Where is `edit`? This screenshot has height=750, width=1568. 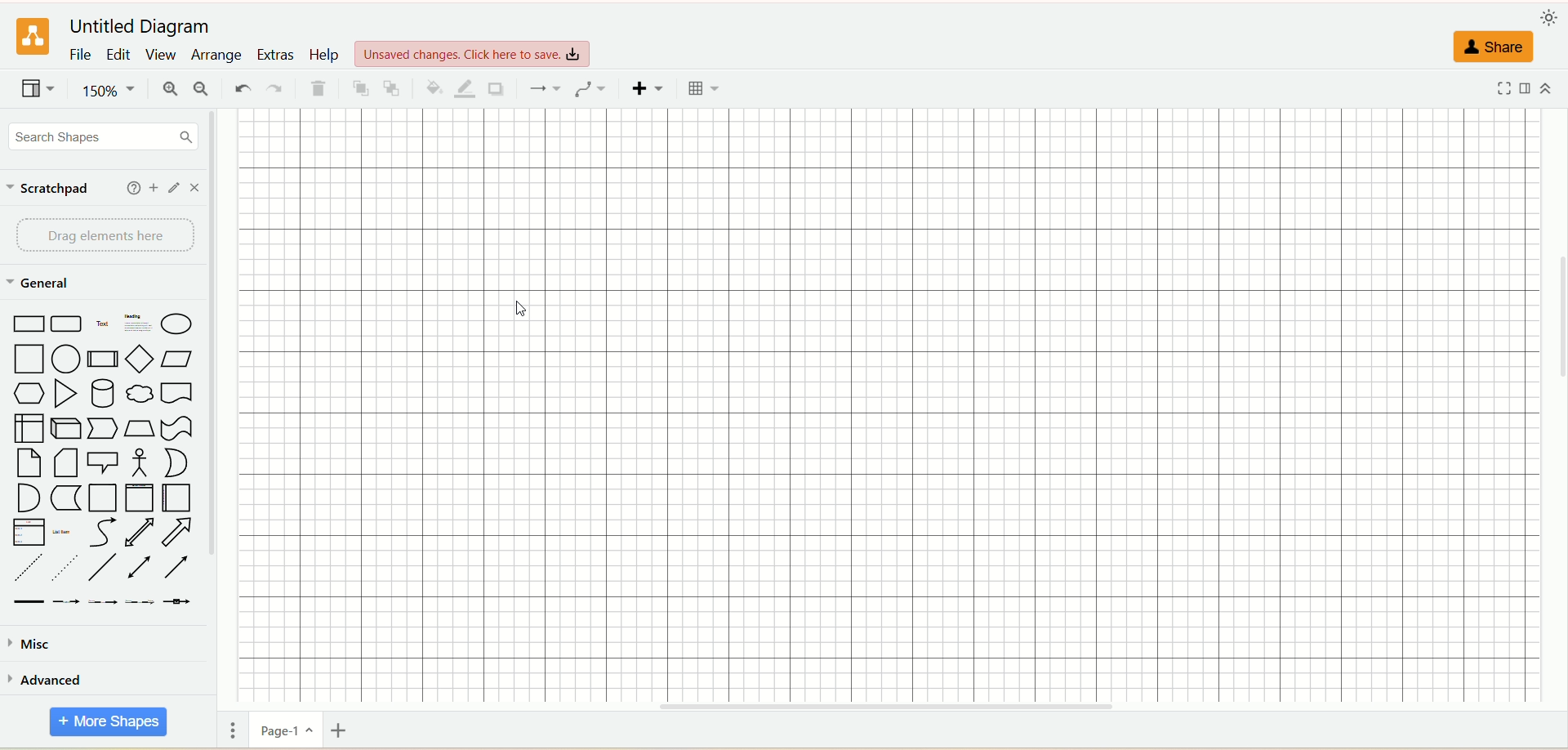 edit is located at coordinates (174, 188).